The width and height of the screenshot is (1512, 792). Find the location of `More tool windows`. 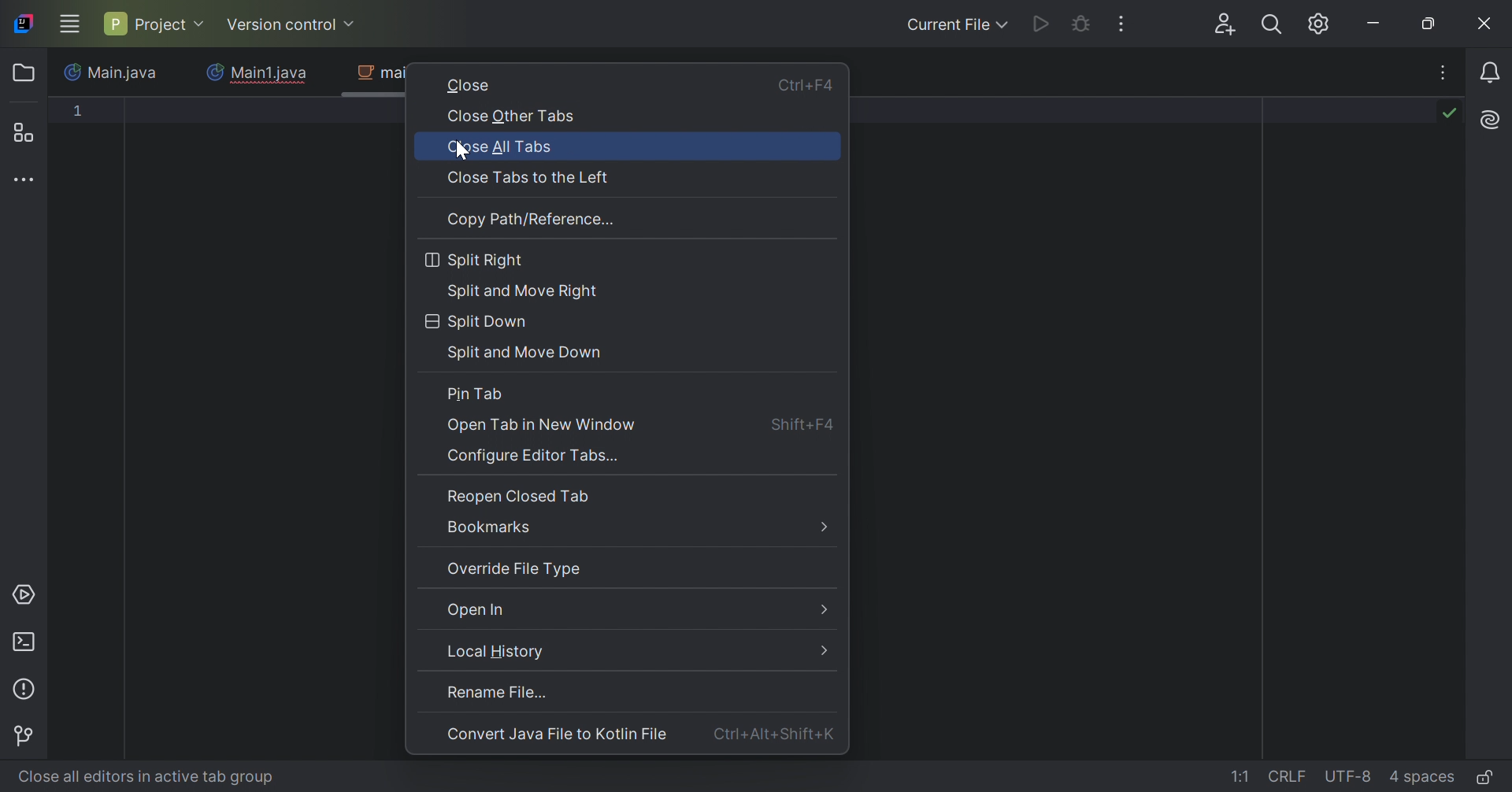

More tool windows is located at coordinates (24, 180).